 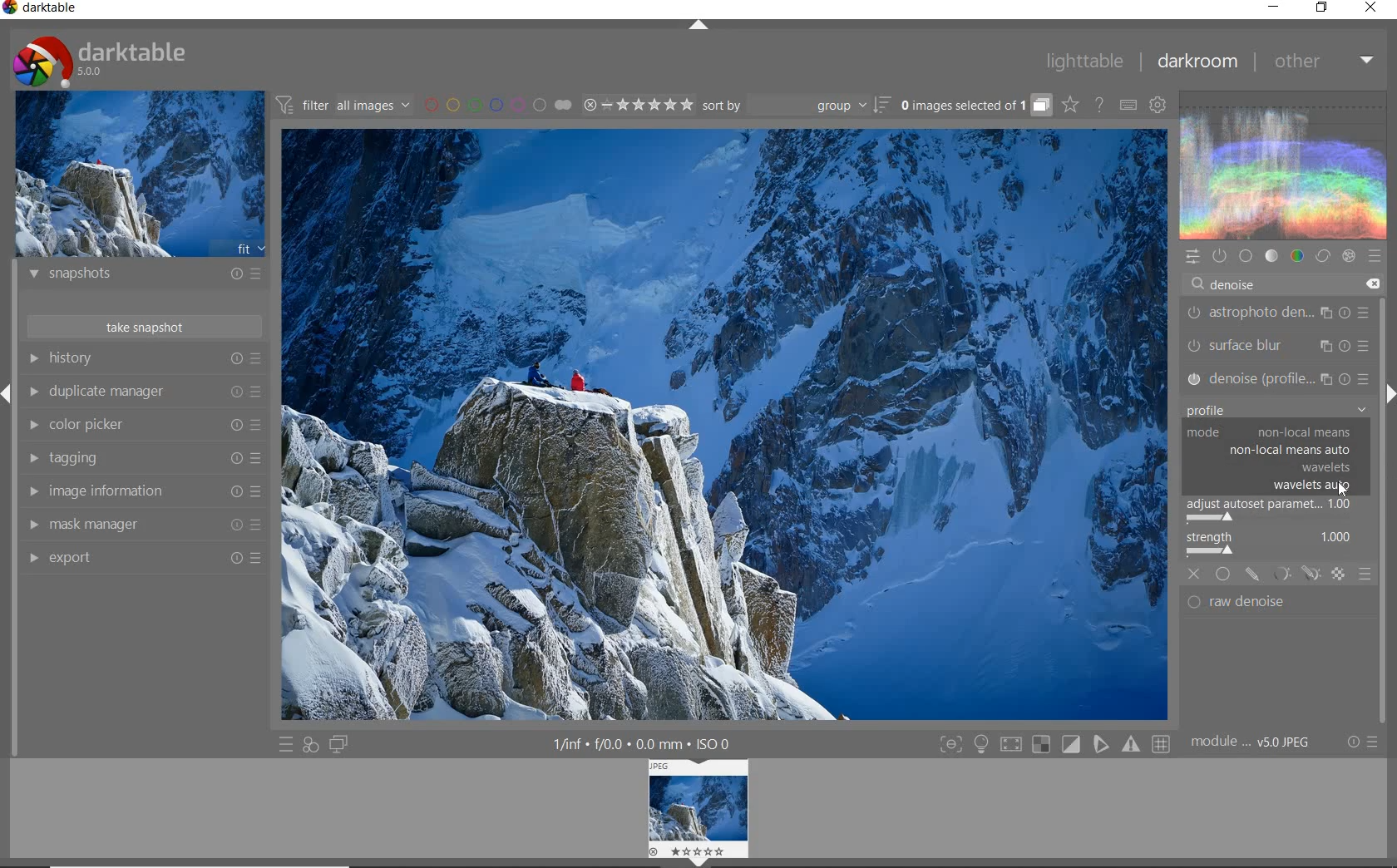 What do you see at coordinates (143, 459) in the screenshot?
I see `tagging` at bounding box center [143, 459].